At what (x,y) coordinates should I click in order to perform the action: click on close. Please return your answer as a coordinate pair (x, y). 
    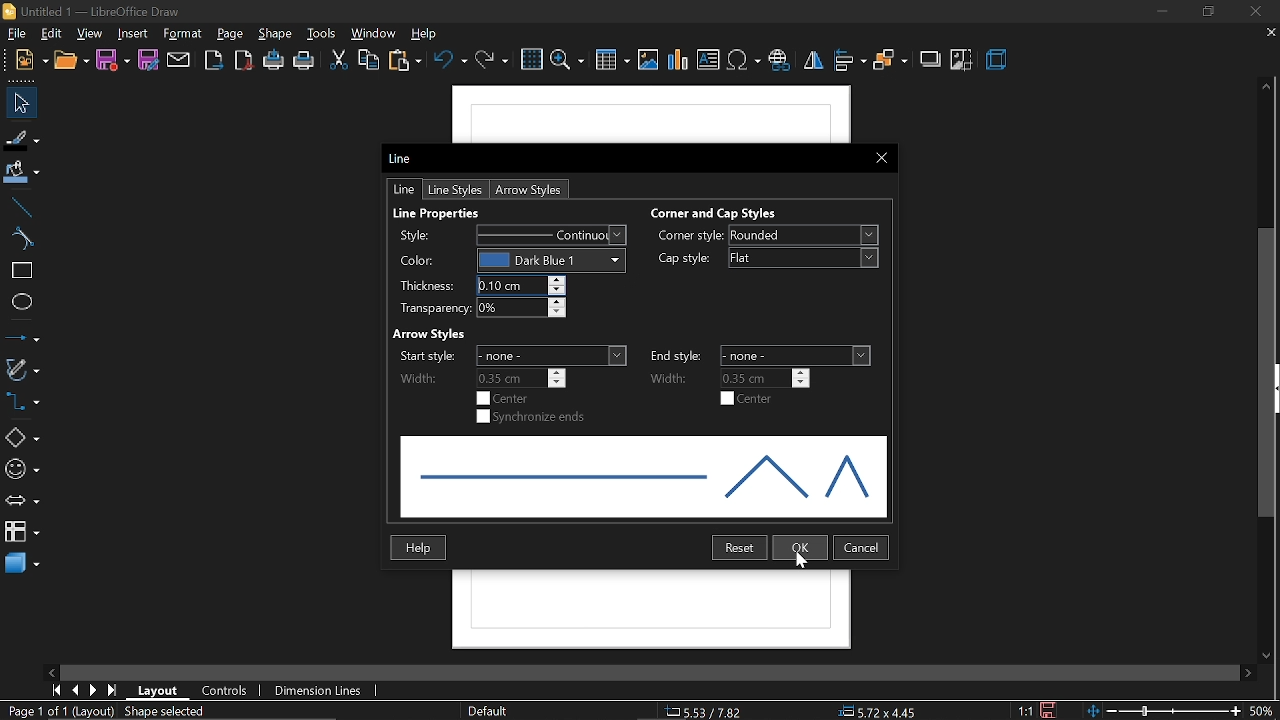
    Looking at the image, I should click on (1253, 11).